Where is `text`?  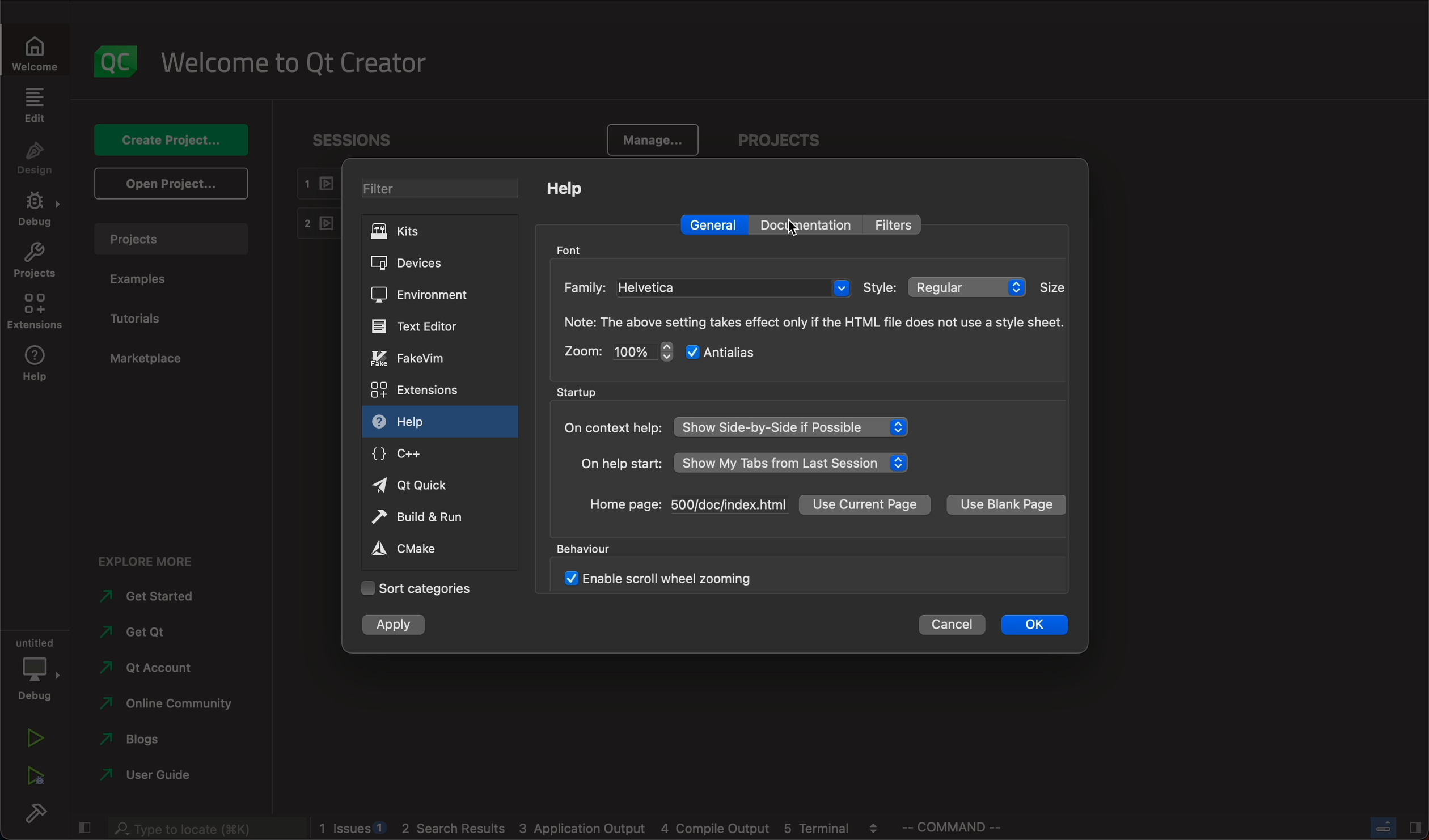 text is located at coordinates (426, 327).